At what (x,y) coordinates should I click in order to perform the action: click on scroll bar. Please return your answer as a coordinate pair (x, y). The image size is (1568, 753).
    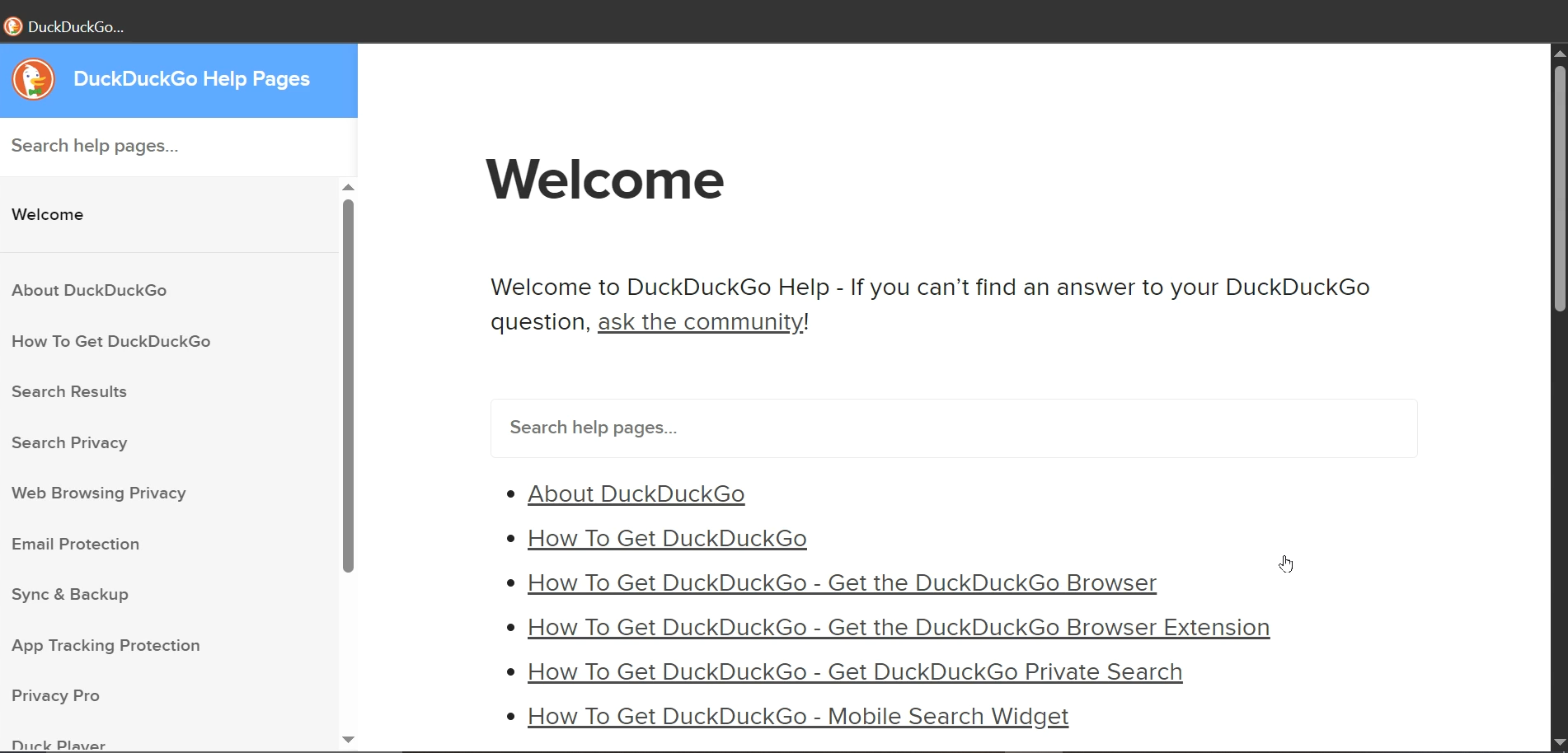
    Looking at the image, I should click on (1556, 297).